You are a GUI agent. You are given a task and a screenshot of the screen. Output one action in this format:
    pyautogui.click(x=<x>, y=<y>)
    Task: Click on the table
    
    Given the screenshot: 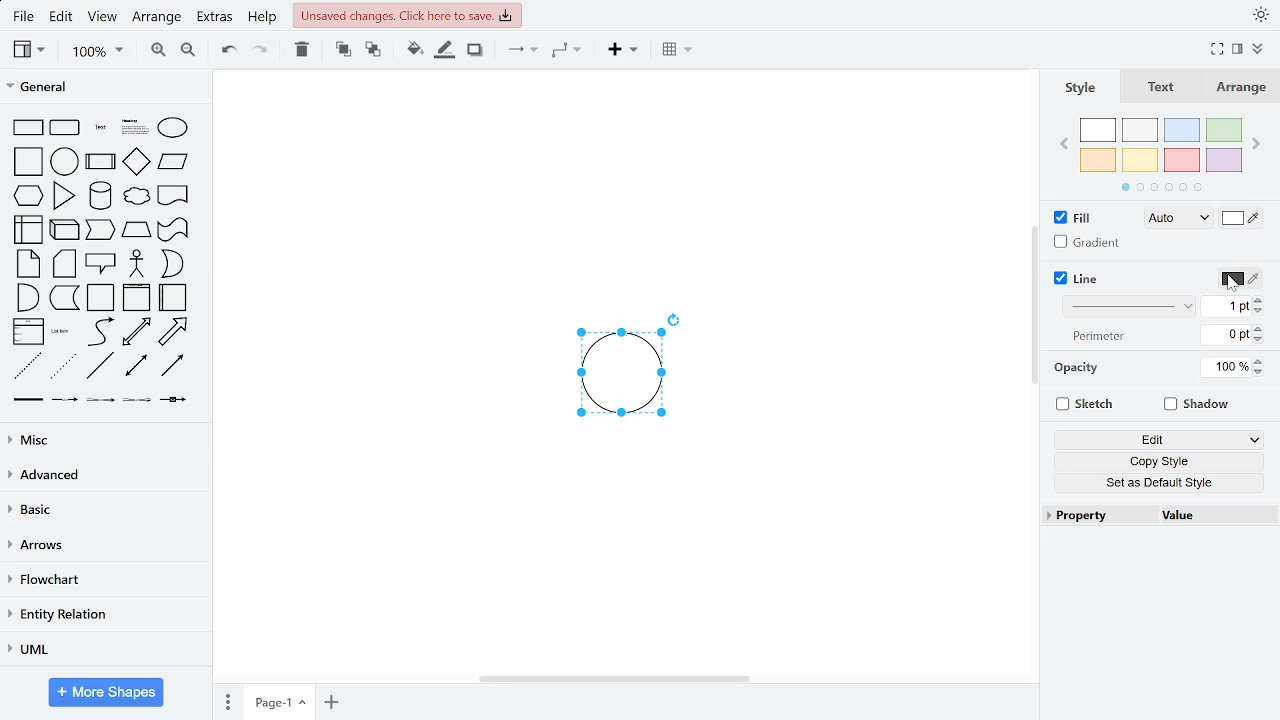 What is the action you would take?
    pyautogui.click(x=678, y=51)
    